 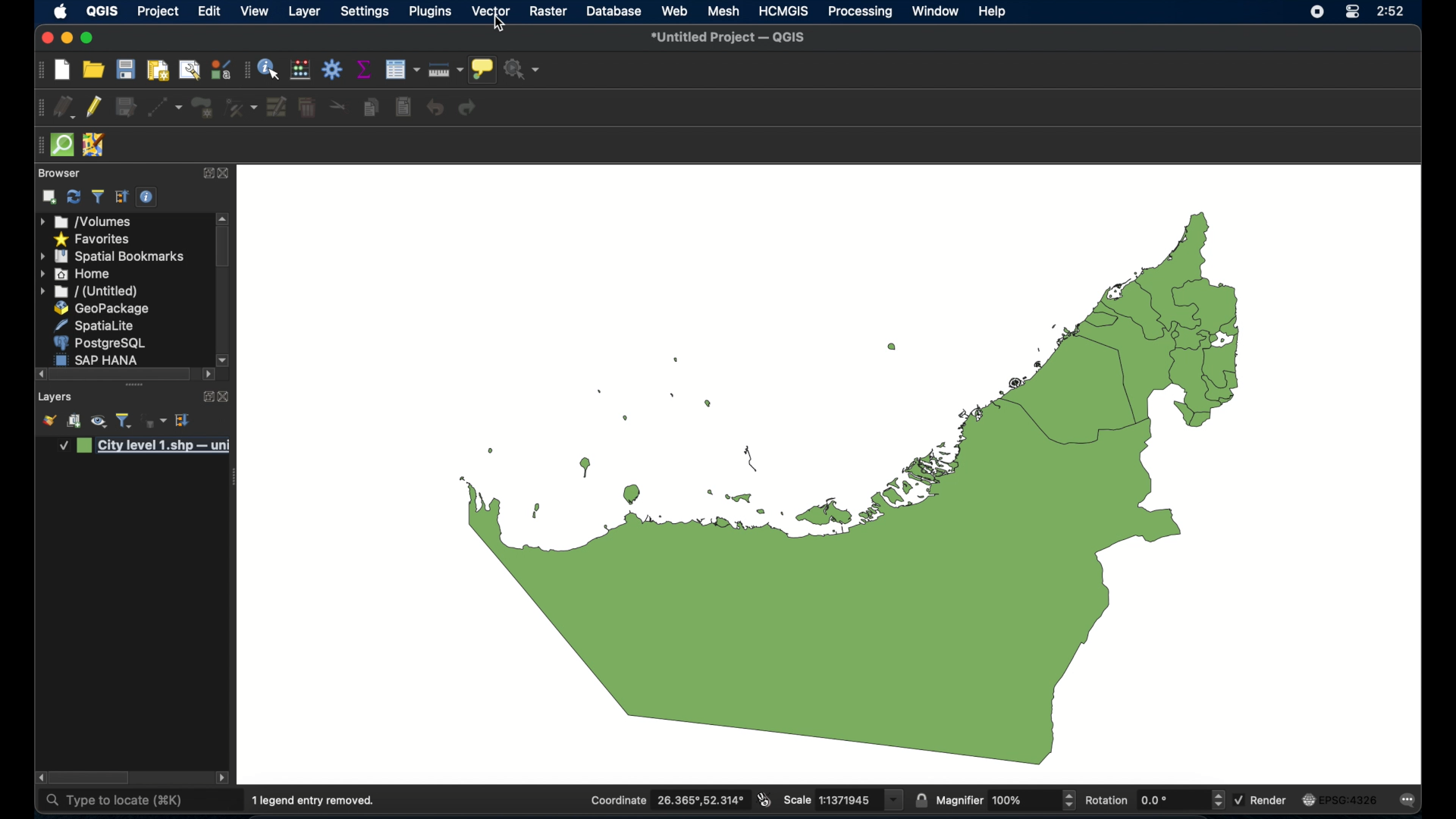 I want to click on scroll right arrow, so click(x=209, y=375).